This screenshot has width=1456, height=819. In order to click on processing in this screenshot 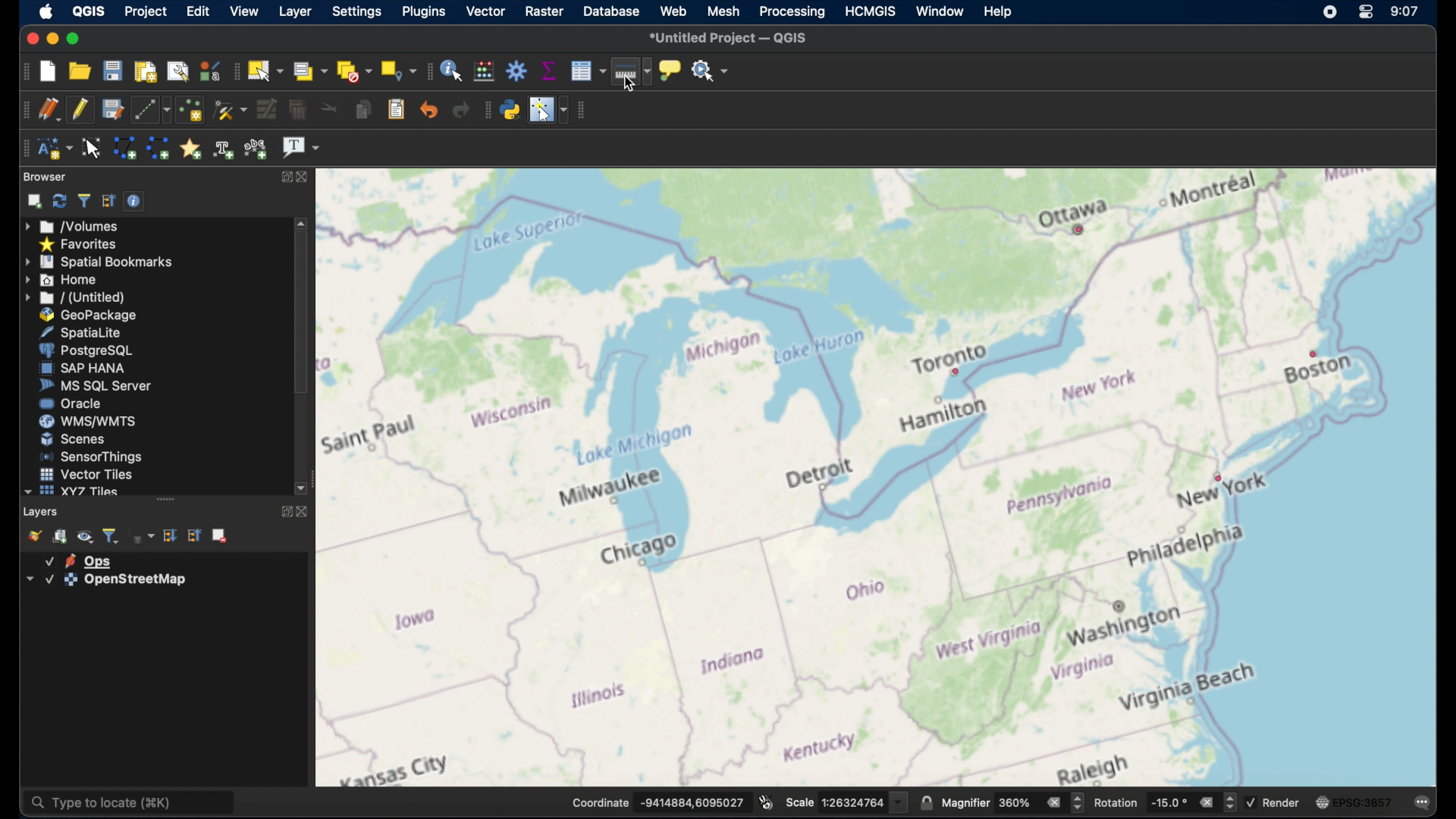, I will do `click(792, 12)`.